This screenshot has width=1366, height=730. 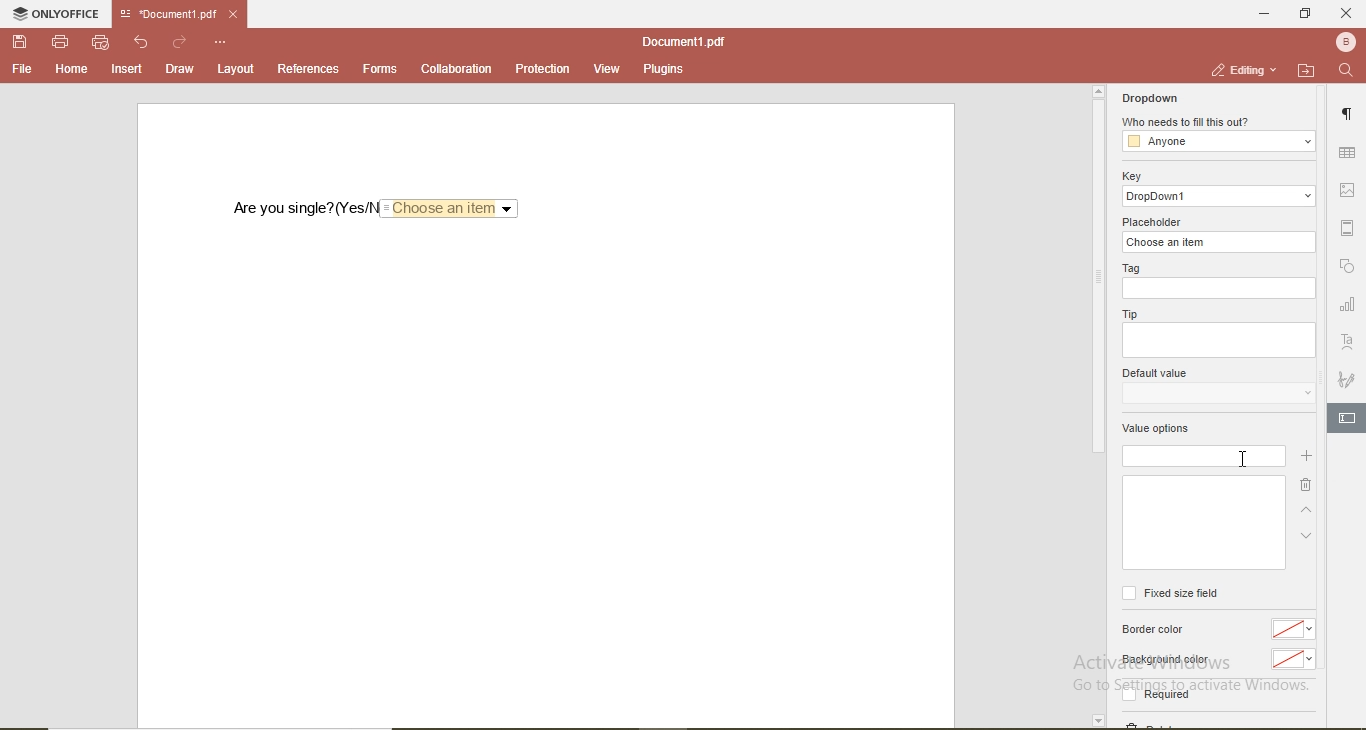 I want to click on no color, so click(x=1292, y=630).